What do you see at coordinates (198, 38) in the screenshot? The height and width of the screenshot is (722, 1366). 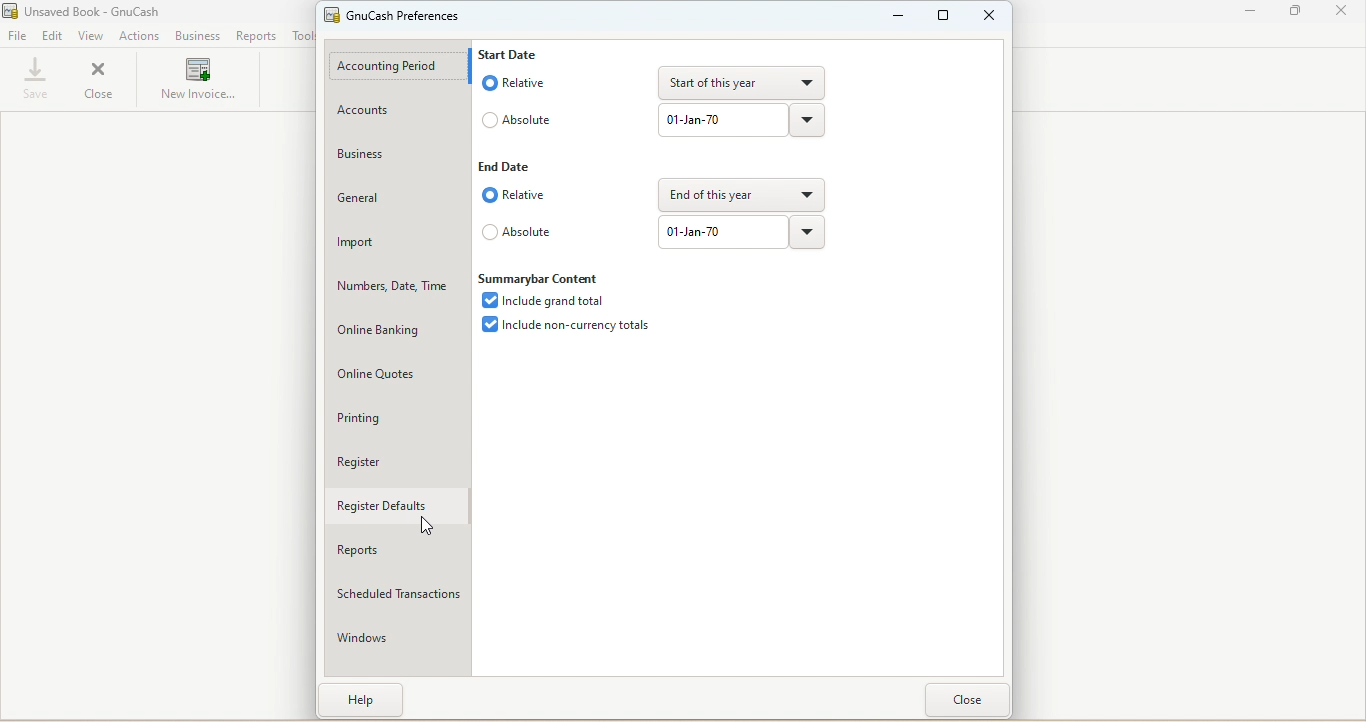 I see `Business` at bounding box center [198, 38].